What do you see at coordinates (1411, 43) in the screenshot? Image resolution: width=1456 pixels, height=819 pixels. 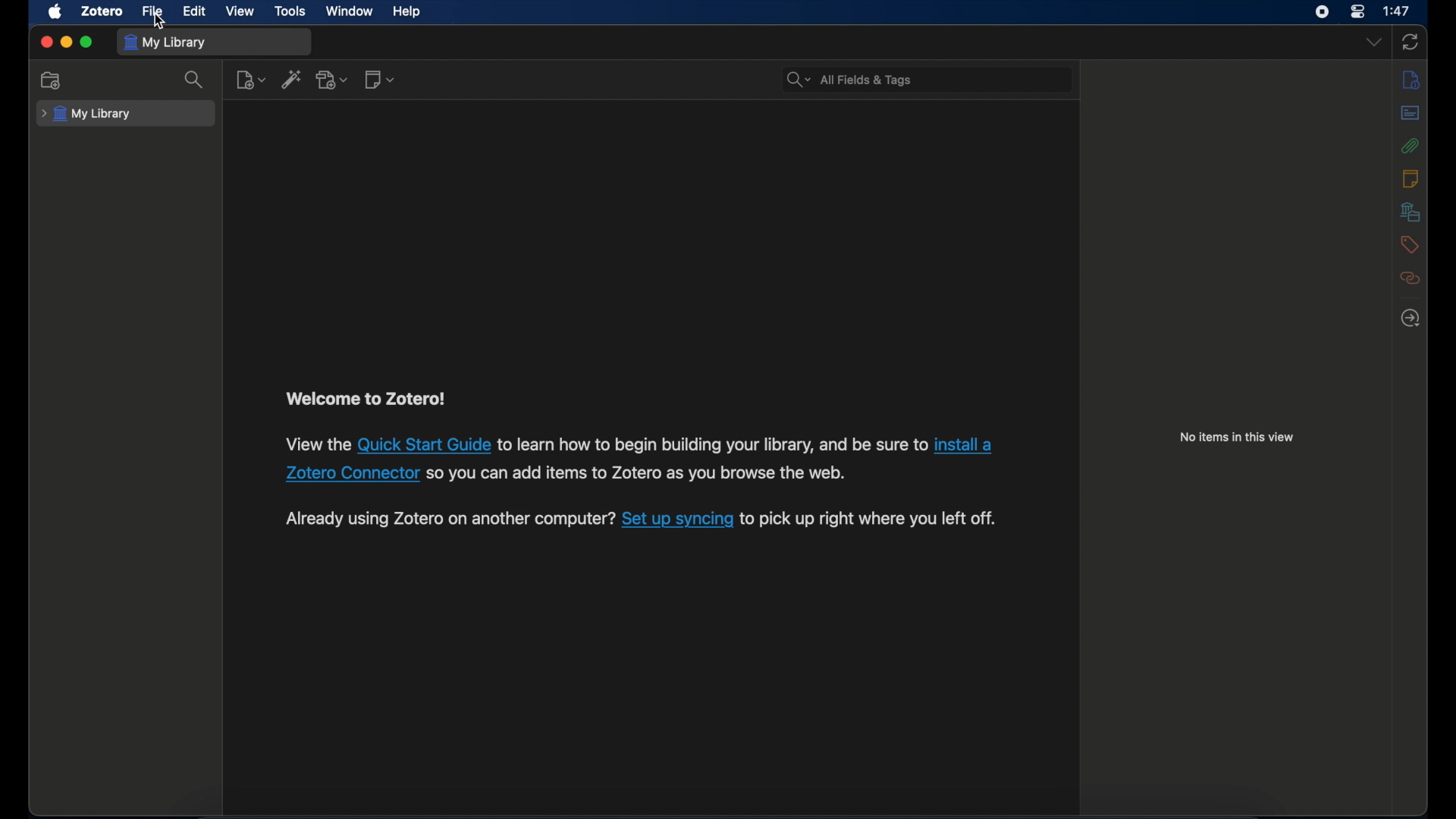 I see `sync` at bounding box center [1411, 43].